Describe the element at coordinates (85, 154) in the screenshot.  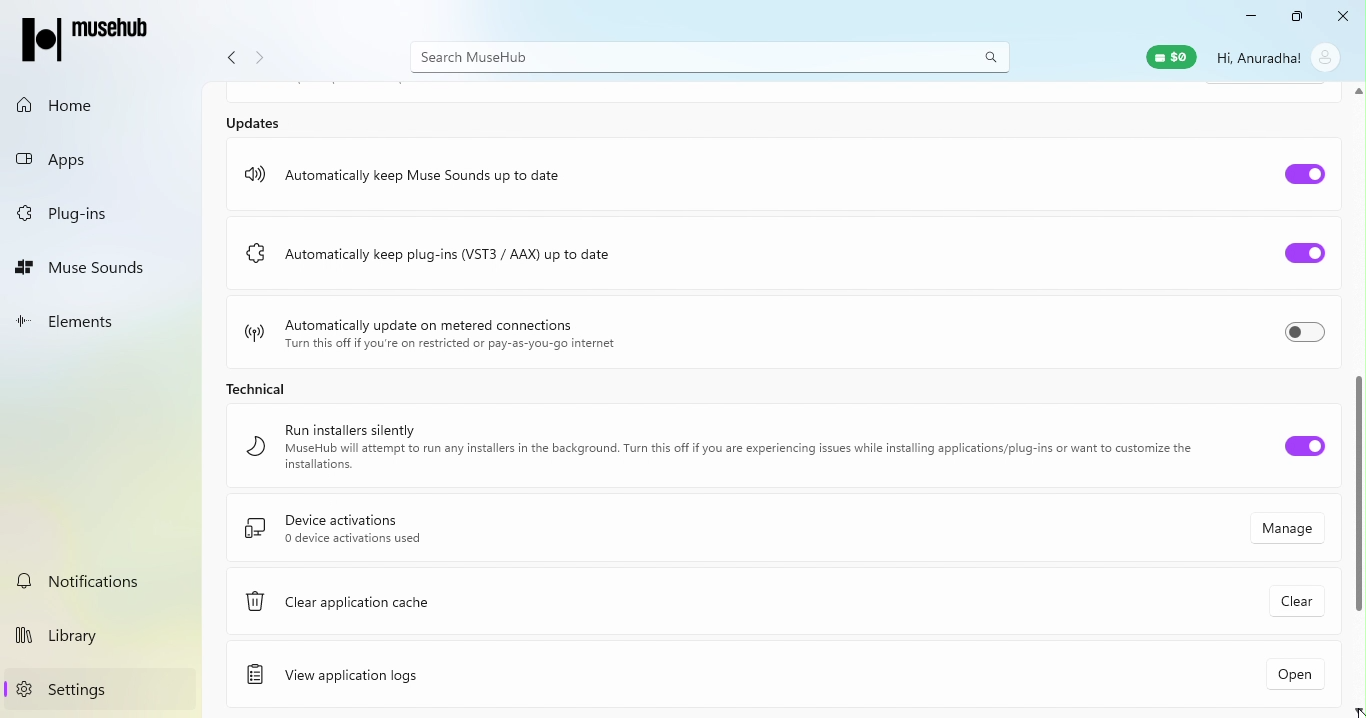
I see `Apps` at that location.